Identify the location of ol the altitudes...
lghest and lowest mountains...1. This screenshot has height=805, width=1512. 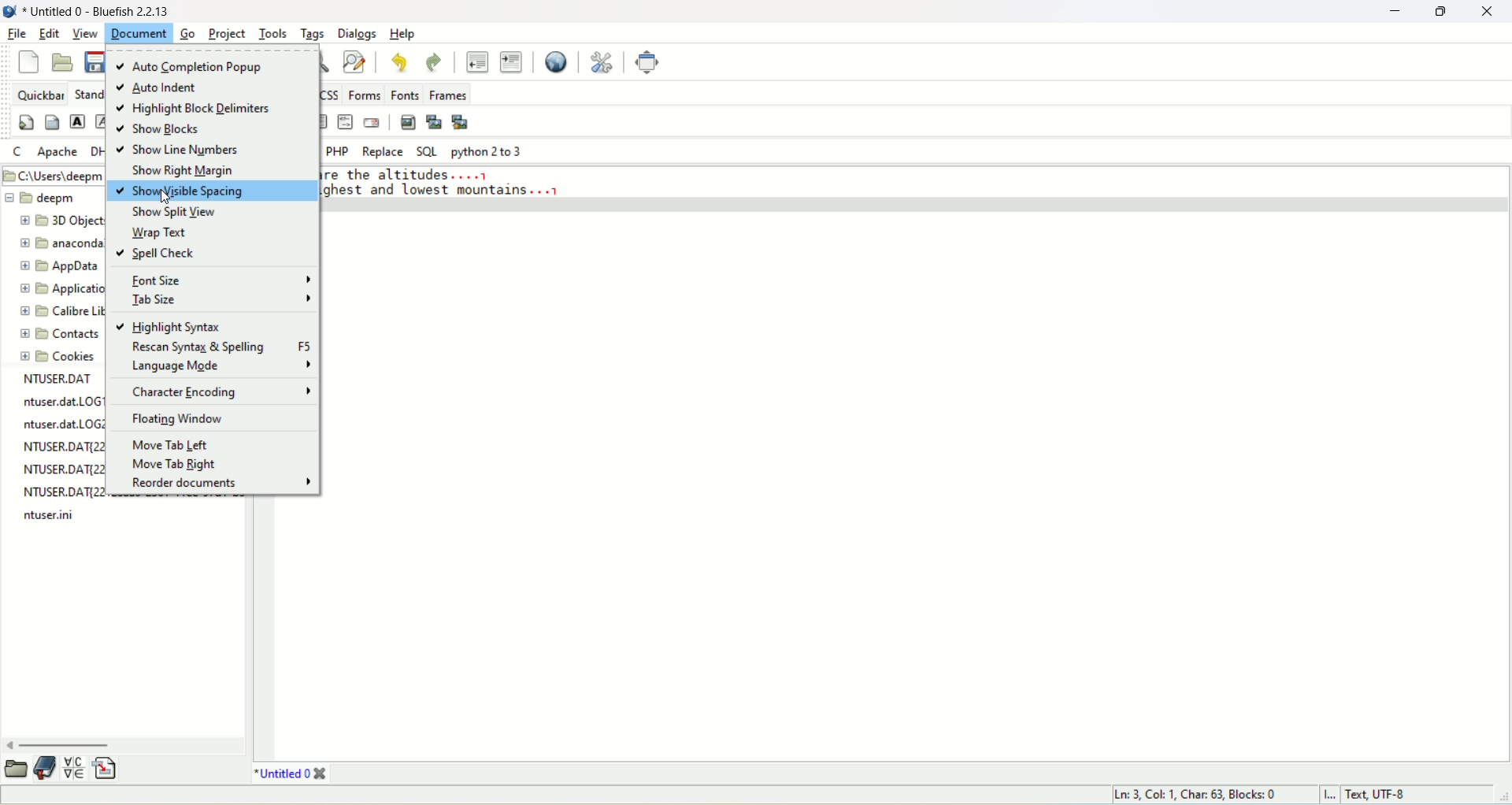
(455, 183).